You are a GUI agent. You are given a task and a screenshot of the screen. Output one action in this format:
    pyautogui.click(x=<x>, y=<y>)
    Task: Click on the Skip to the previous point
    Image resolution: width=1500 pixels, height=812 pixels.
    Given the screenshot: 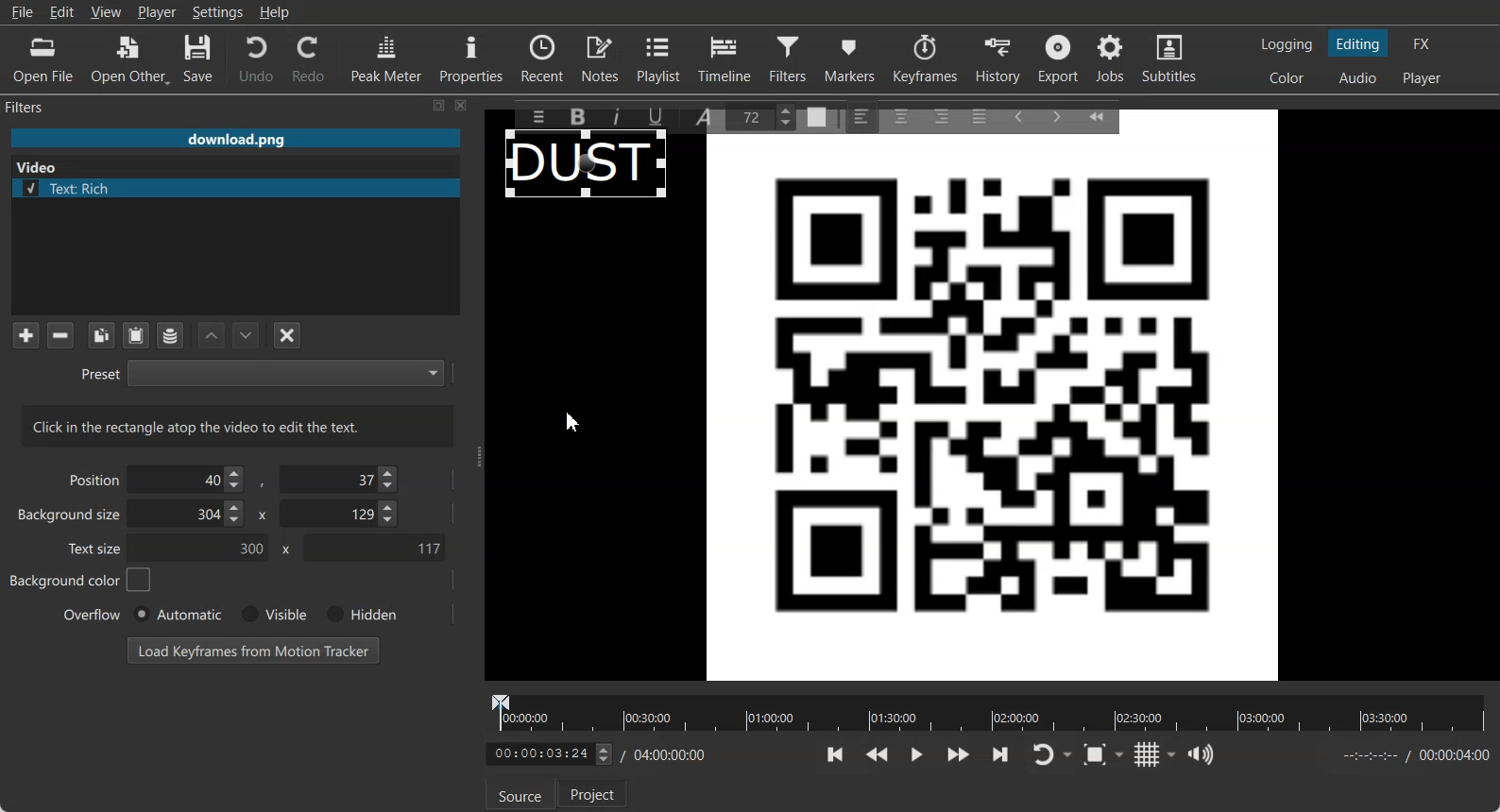 What is the action you would take?
    pyautogui.click(x=836, y=753)
    